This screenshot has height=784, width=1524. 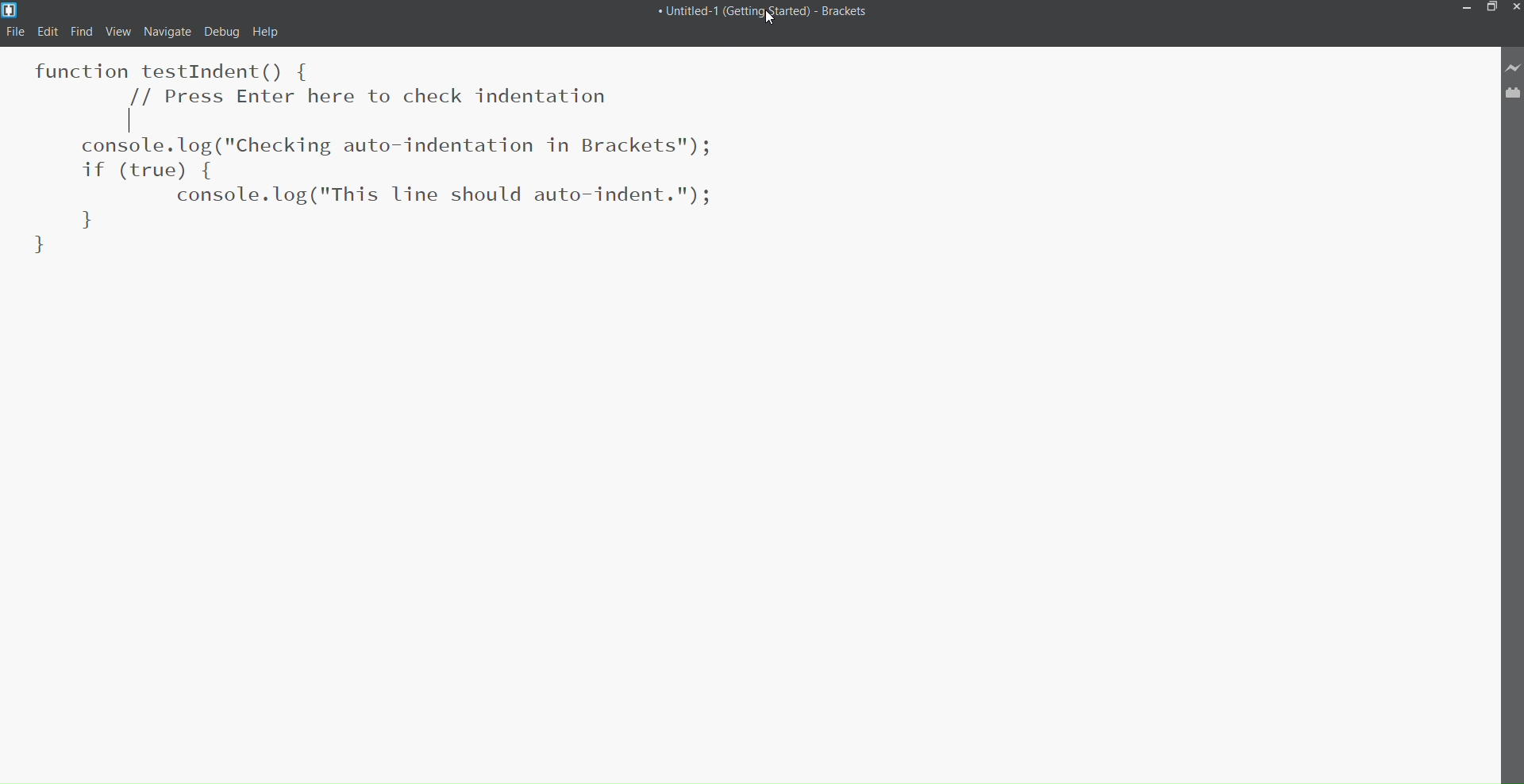 I want to click on Cursor, so click(x=777, y=18).